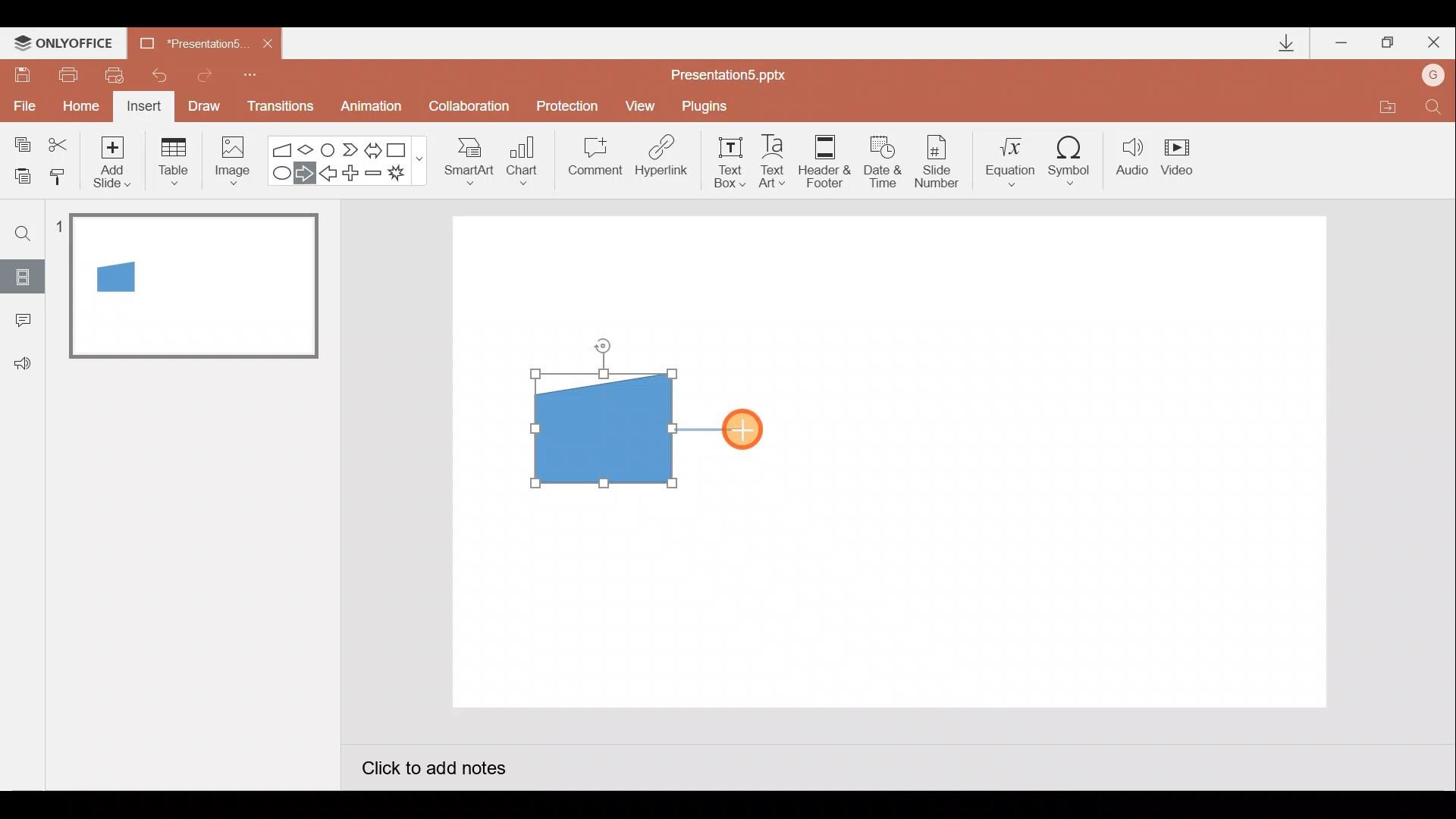 This screenshot has width=1456, height=819. Describe the element at coordinates (24, 233) in the screenshot. I see `Find` at that location.